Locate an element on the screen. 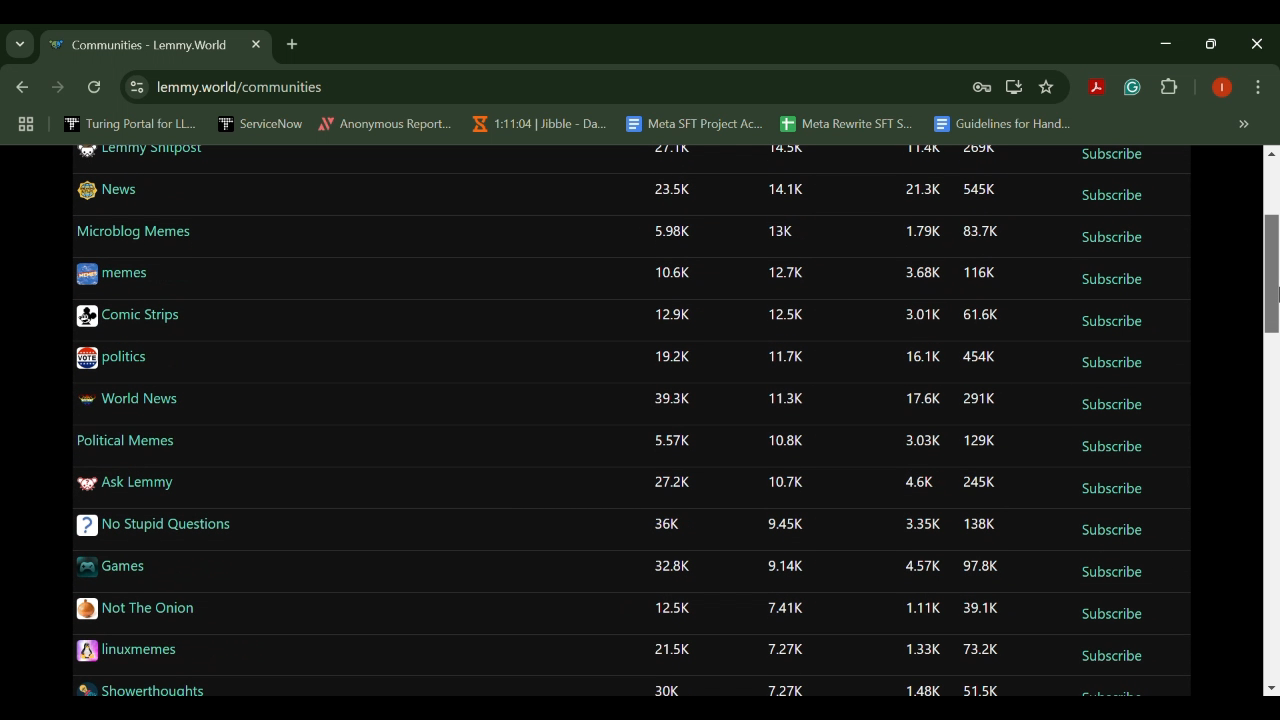  Scroll Bar is located at coordinates (1272, 419).